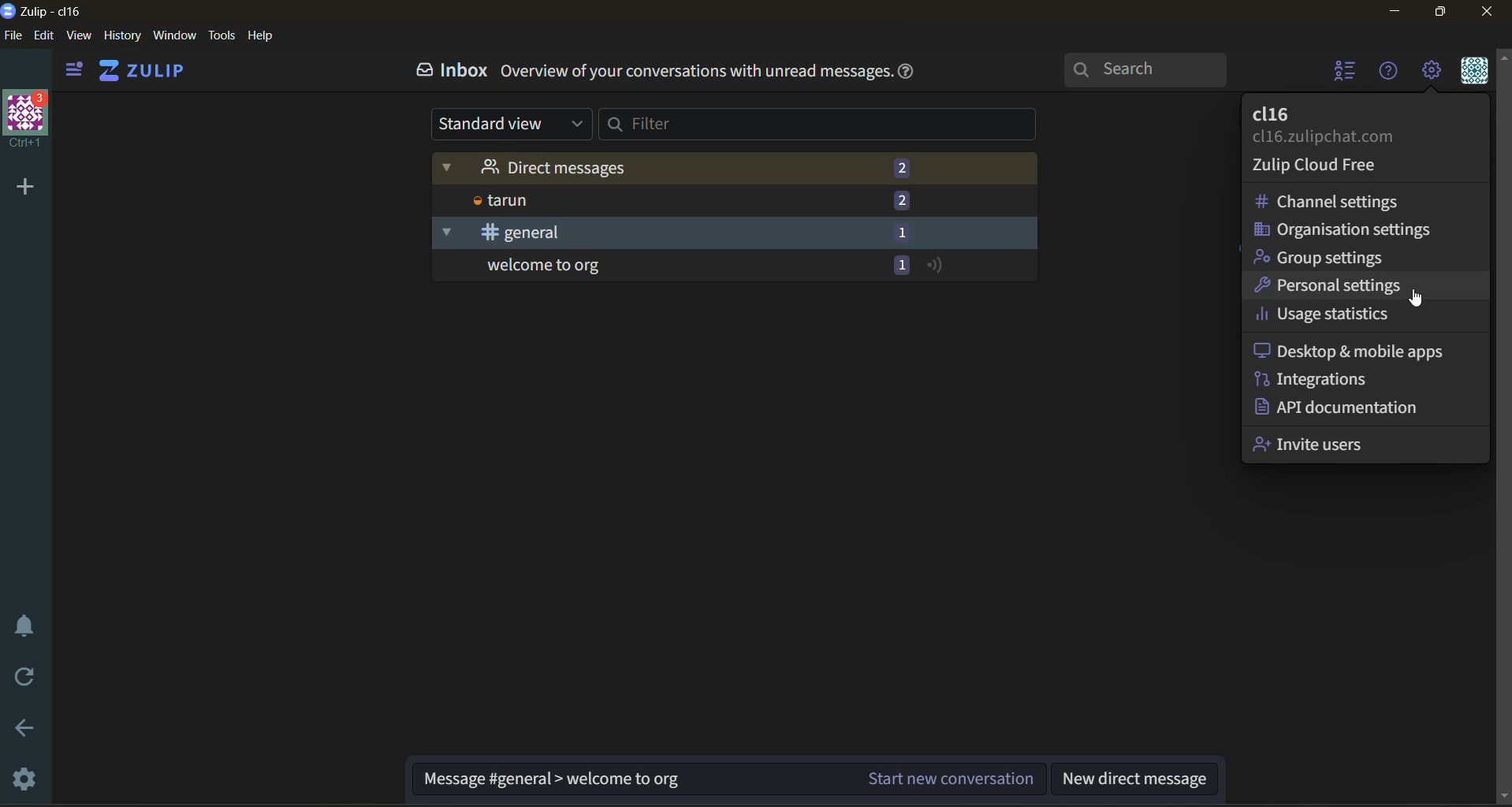 Image resolution: width=1512 pixels, height=807 pixels. What do you see at coordinates (1419, 298) in the screenshot?
I see `cursor` at bounding box center [1419, 298].